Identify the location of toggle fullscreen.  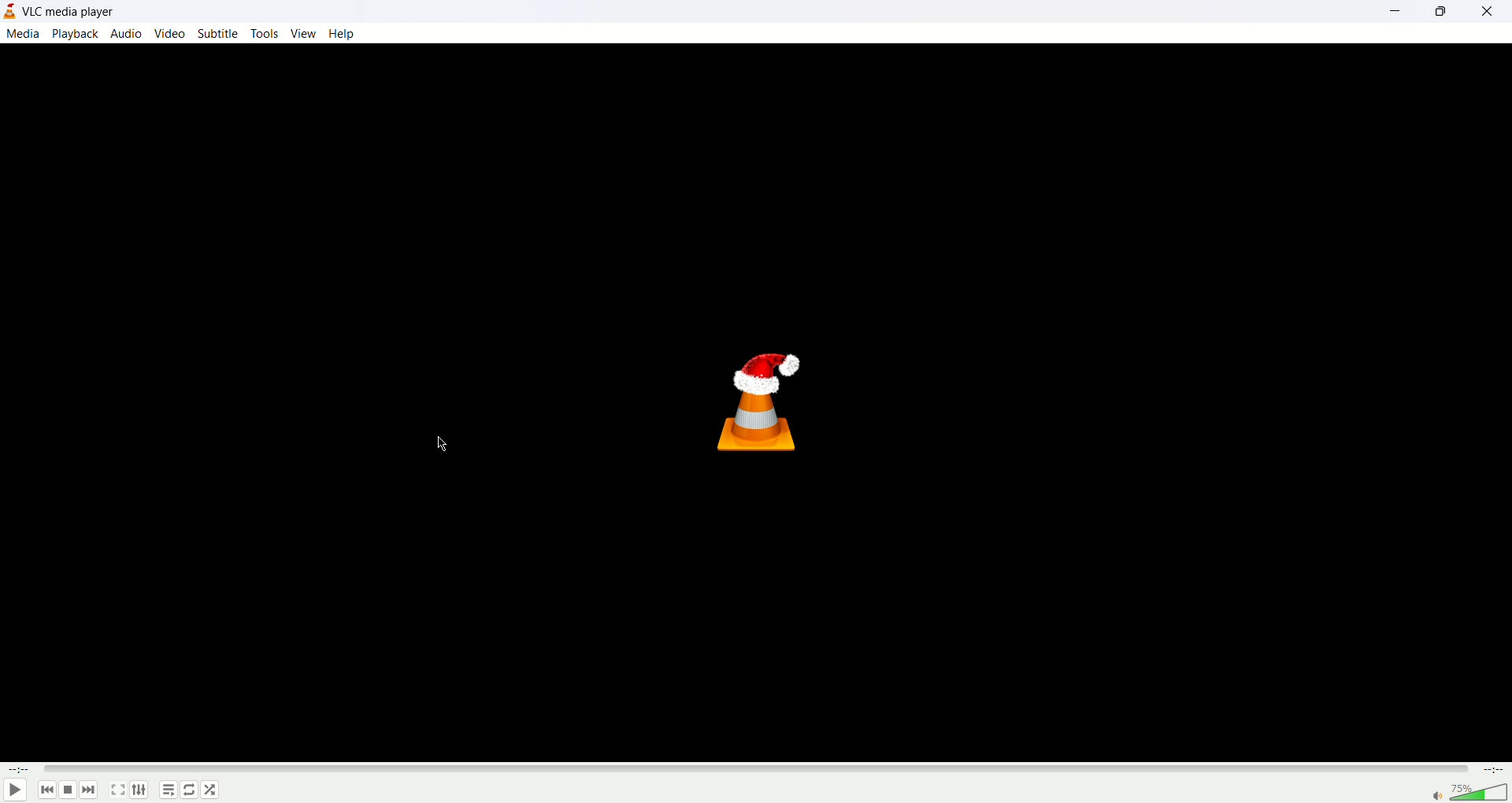
(118, 790).